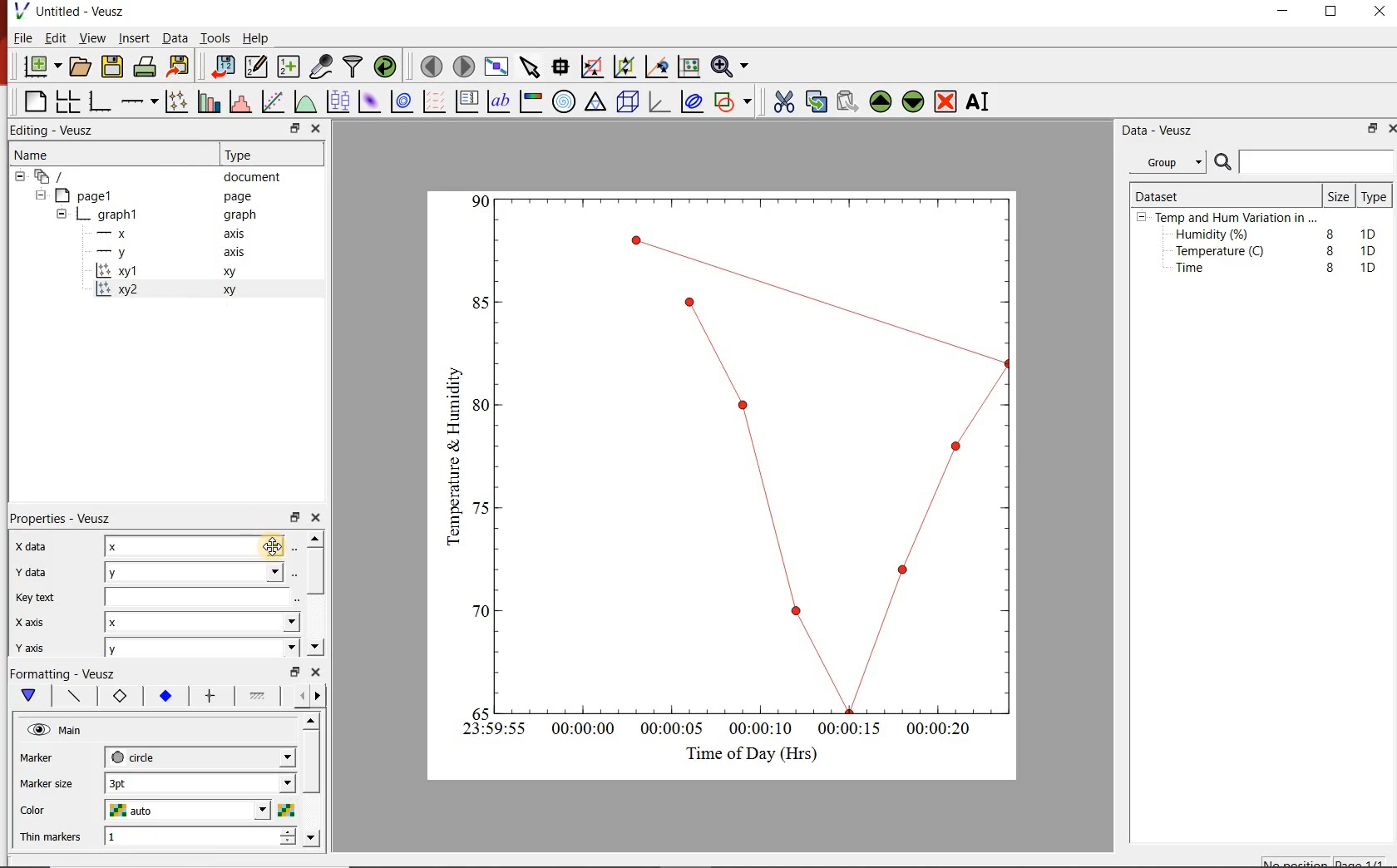  I want to click on x, so click(138, 623).